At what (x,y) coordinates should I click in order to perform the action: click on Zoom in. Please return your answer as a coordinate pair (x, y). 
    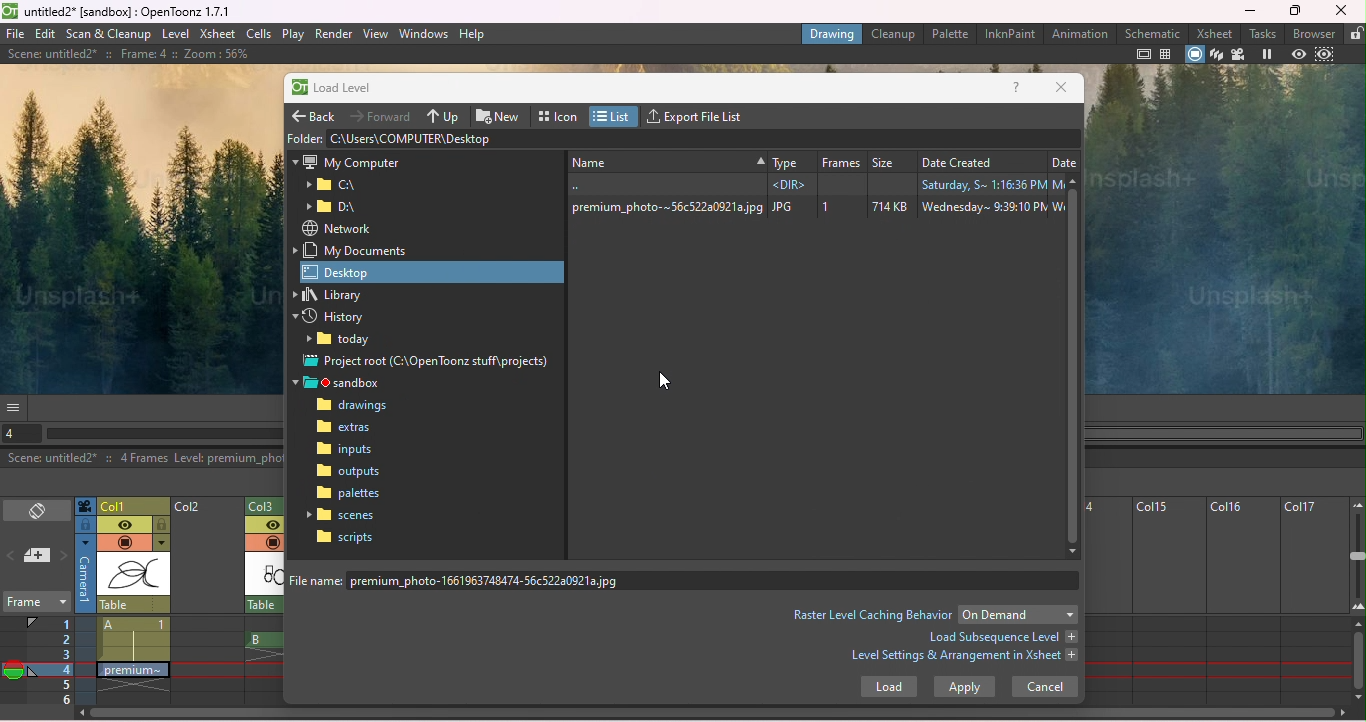
    Looking at the image, I should click on (1357, 610).